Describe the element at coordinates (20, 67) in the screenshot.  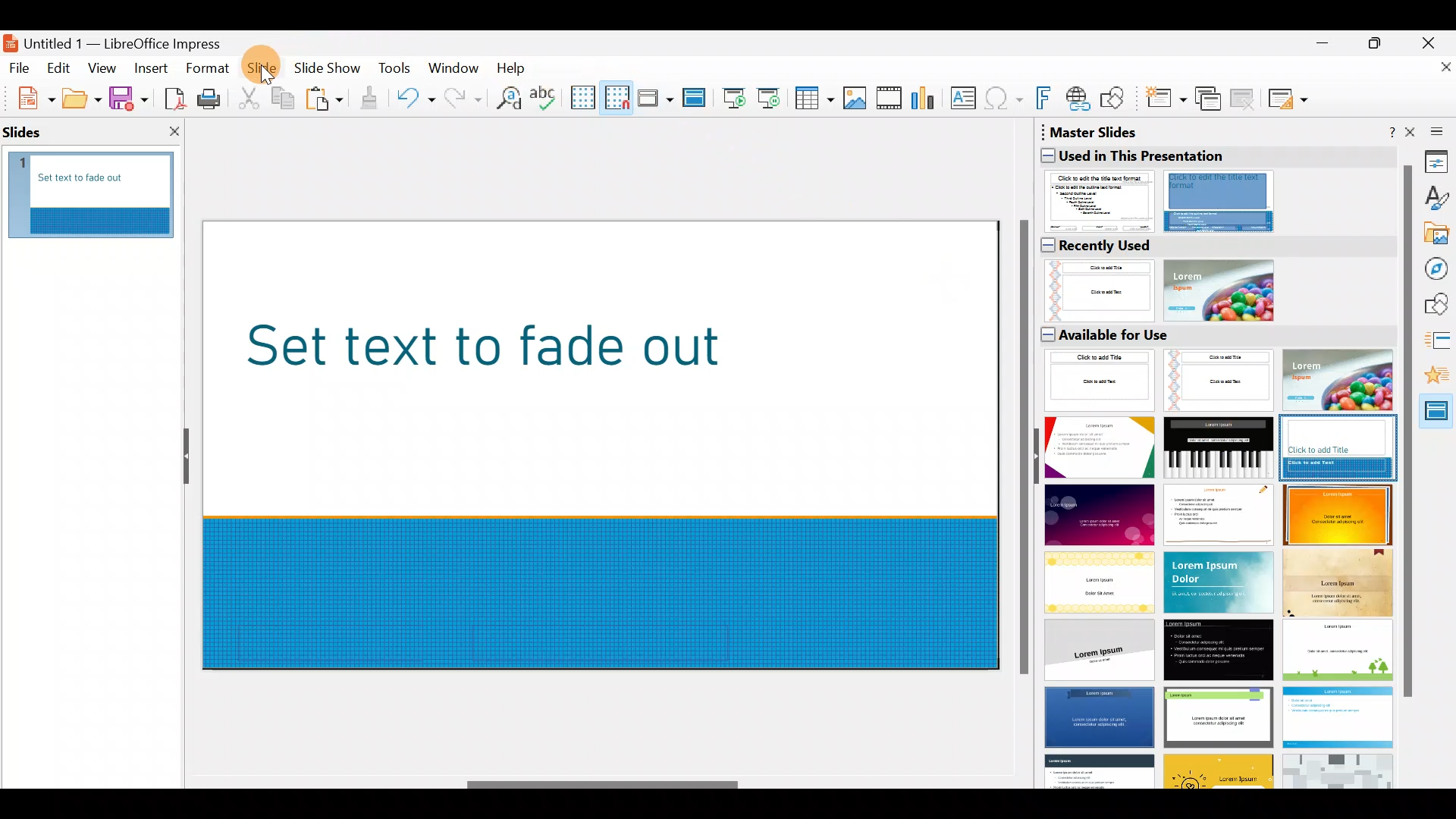
I see `File` at that location.